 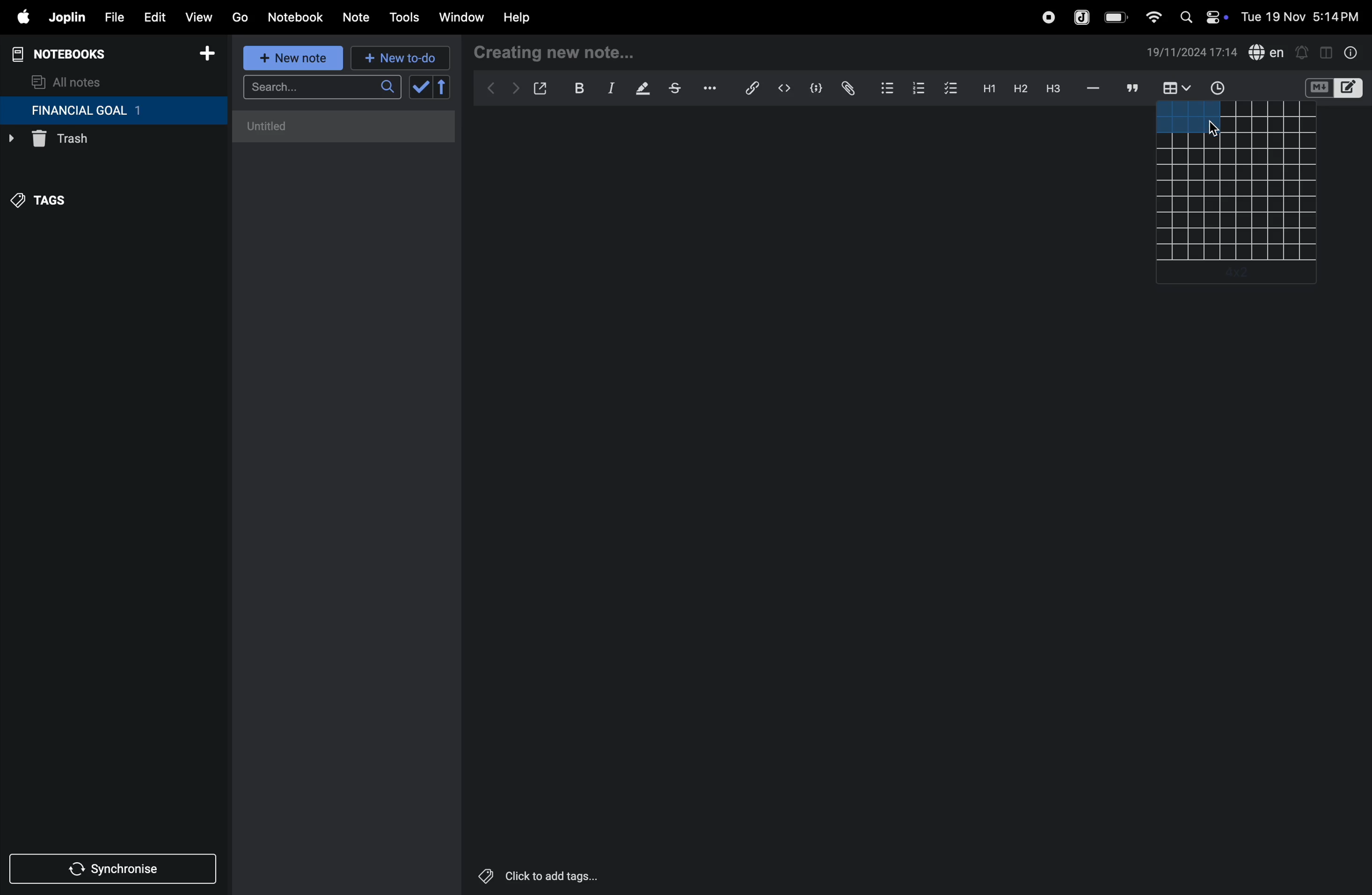 I want to click on insert table, so click(x=1174, y=89).